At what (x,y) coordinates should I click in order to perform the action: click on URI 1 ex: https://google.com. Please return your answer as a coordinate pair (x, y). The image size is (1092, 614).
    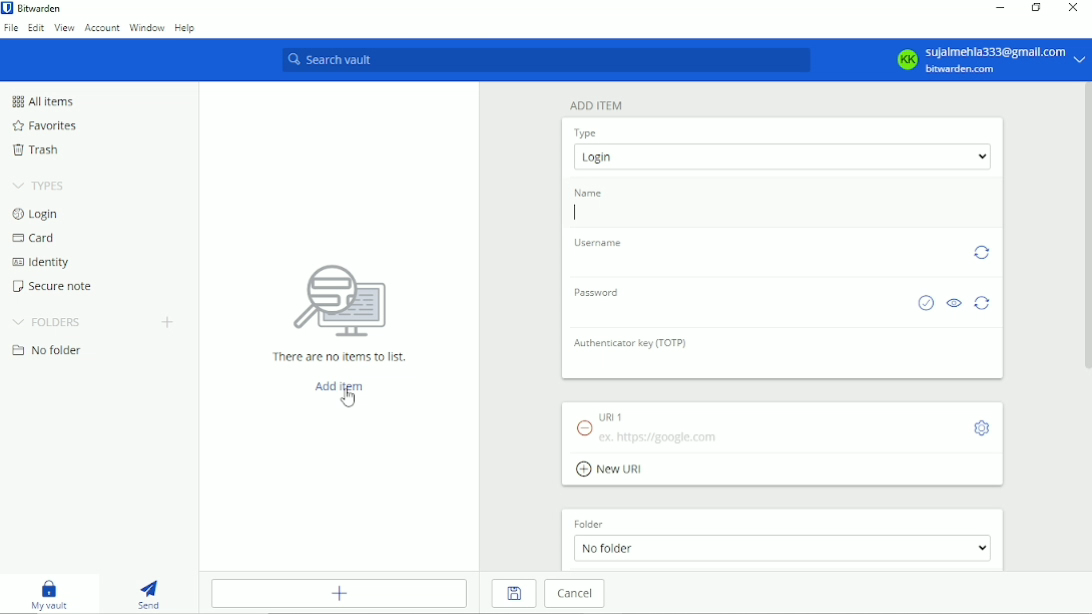
    Looking at the image, I should click on (765, 427).